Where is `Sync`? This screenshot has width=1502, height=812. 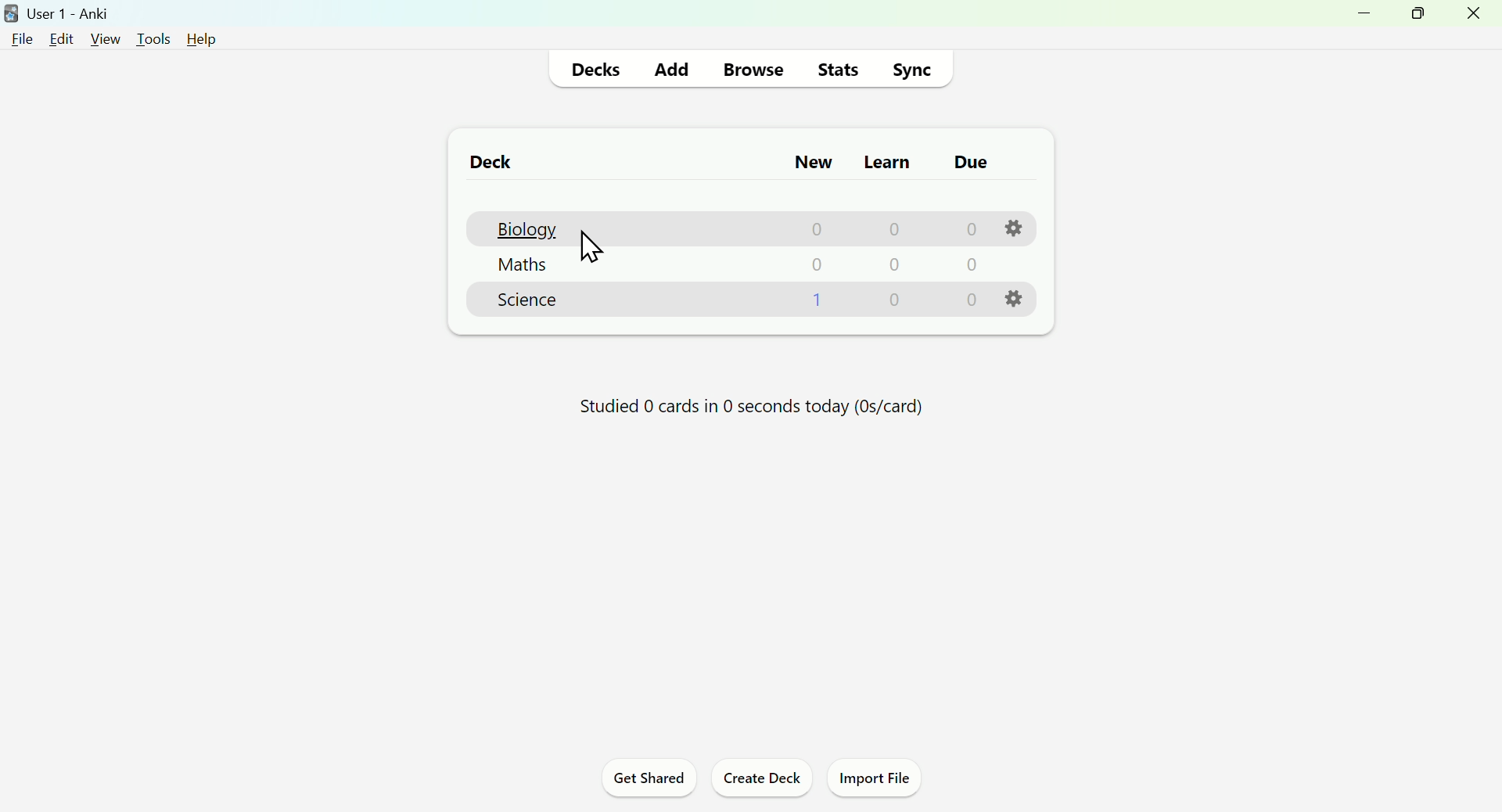 Sync is located at coordinates (911, 70).